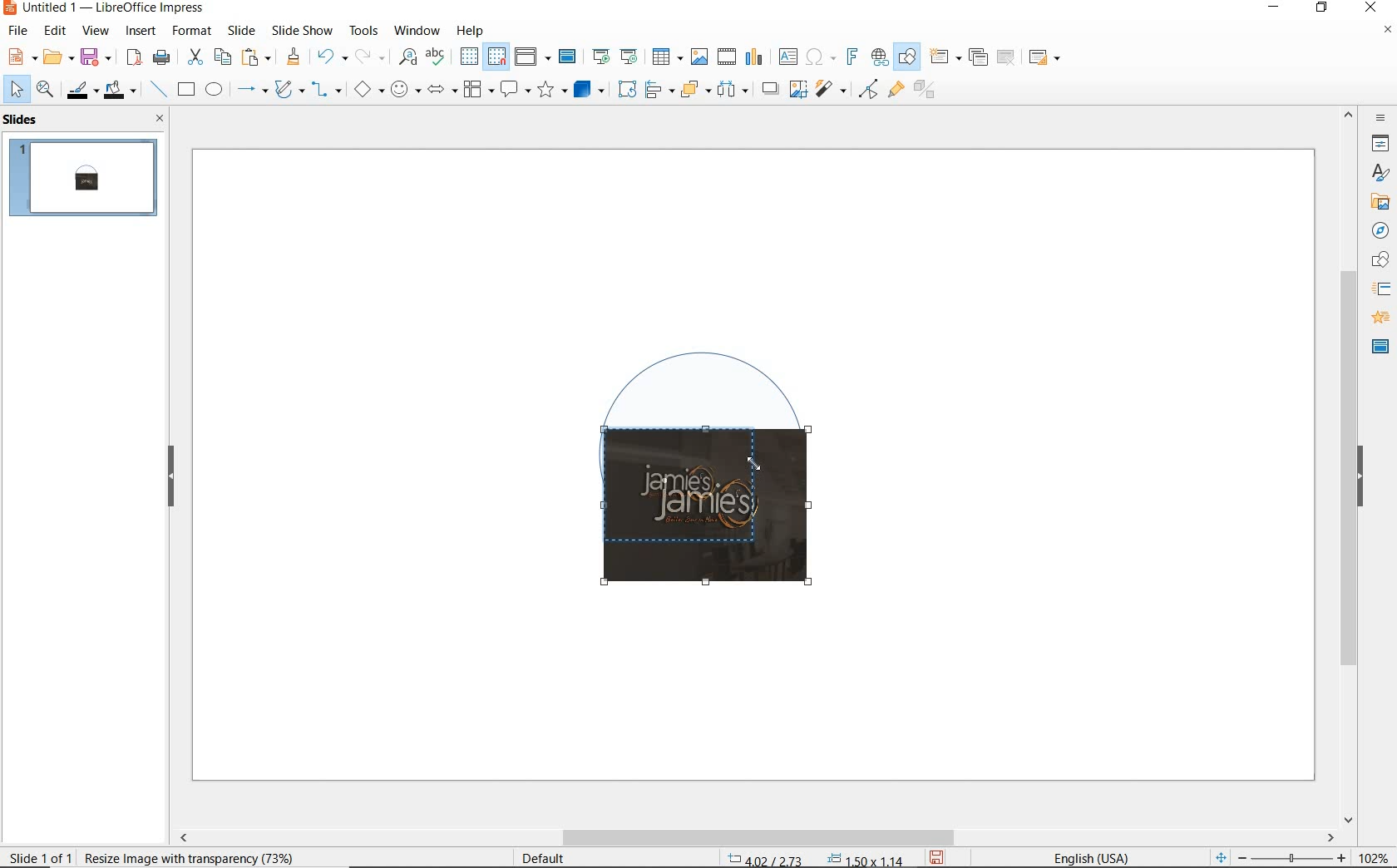 Image resolution: width=1397 pixels, height=868 pixels. Describe the element at coordinates (17, 90) in the screenshot. I see `select` at that location.